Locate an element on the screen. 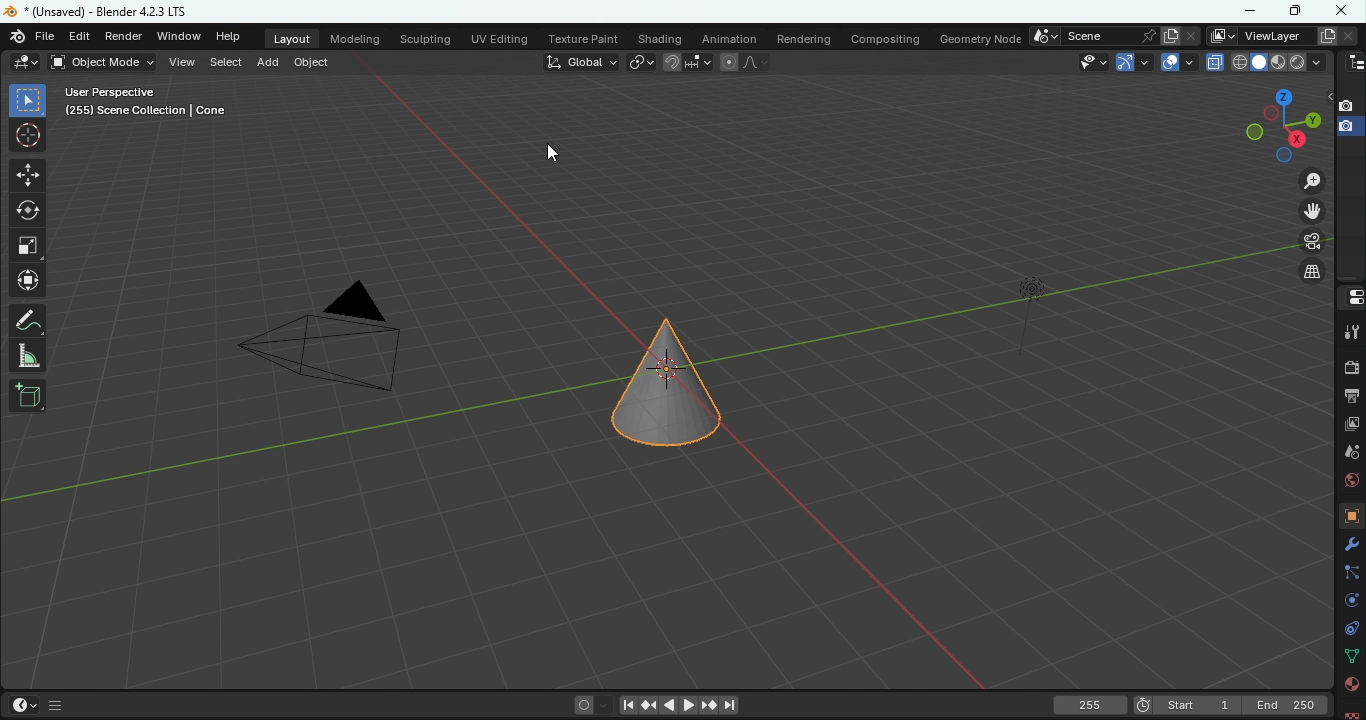 This screenshot has height=720, width=1366. Add cube is located at coordinates (27, 397).